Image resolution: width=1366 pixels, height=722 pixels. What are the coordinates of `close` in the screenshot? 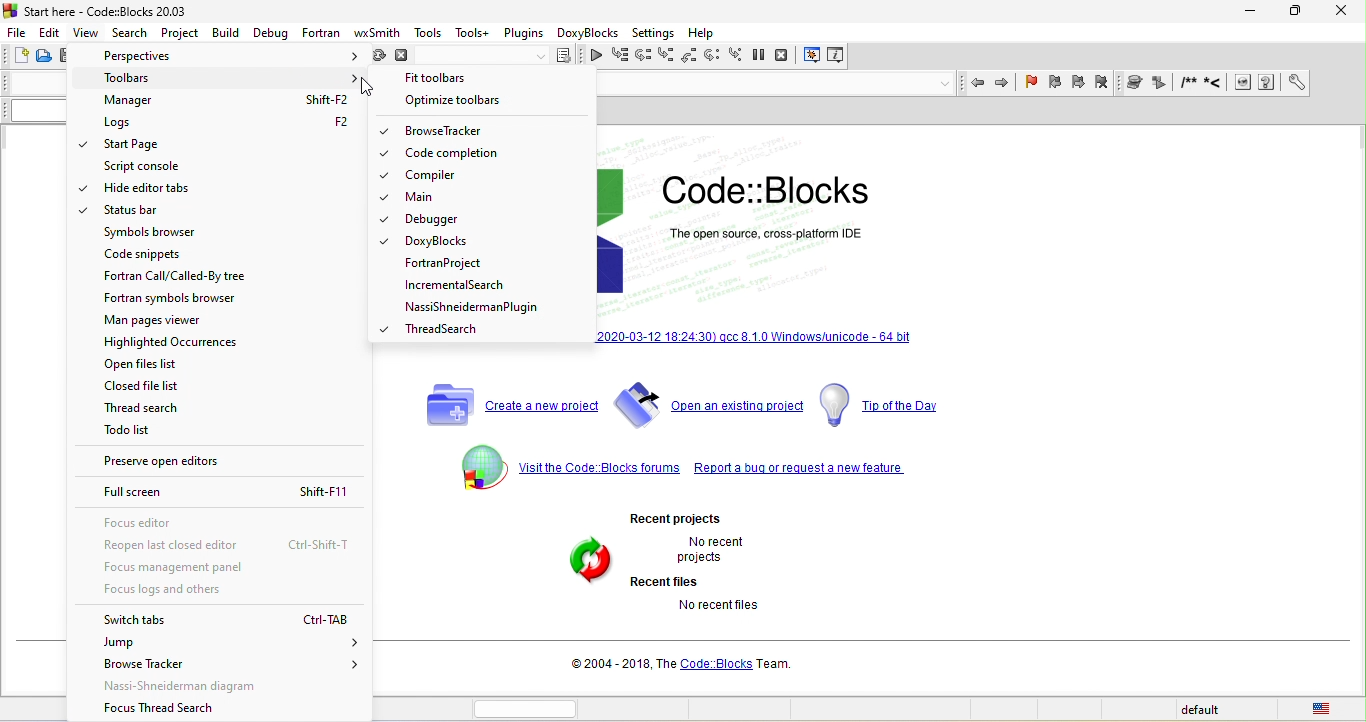 It's located at (1332, 12).